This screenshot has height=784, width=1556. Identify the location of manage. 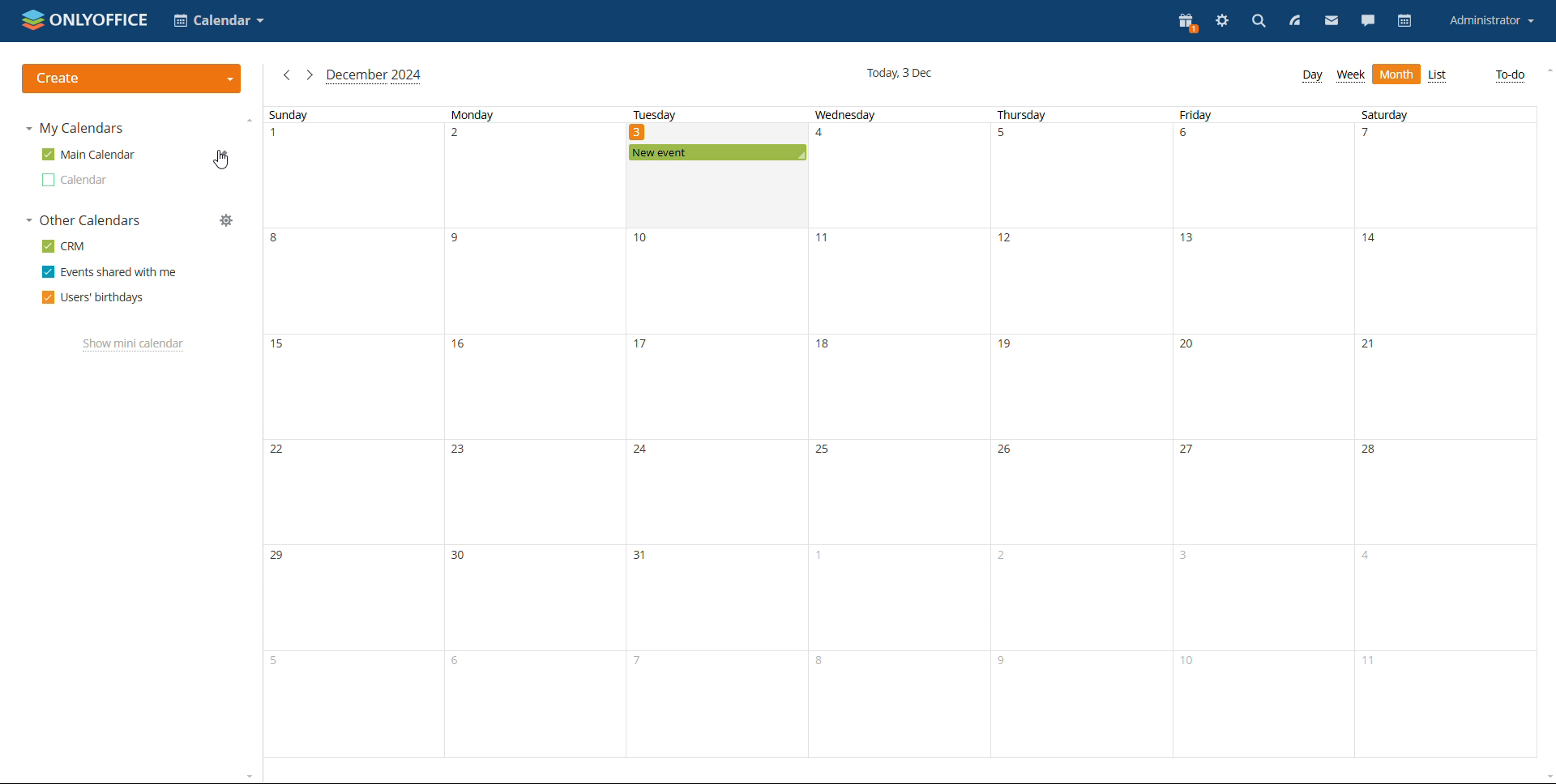
(227, 220).